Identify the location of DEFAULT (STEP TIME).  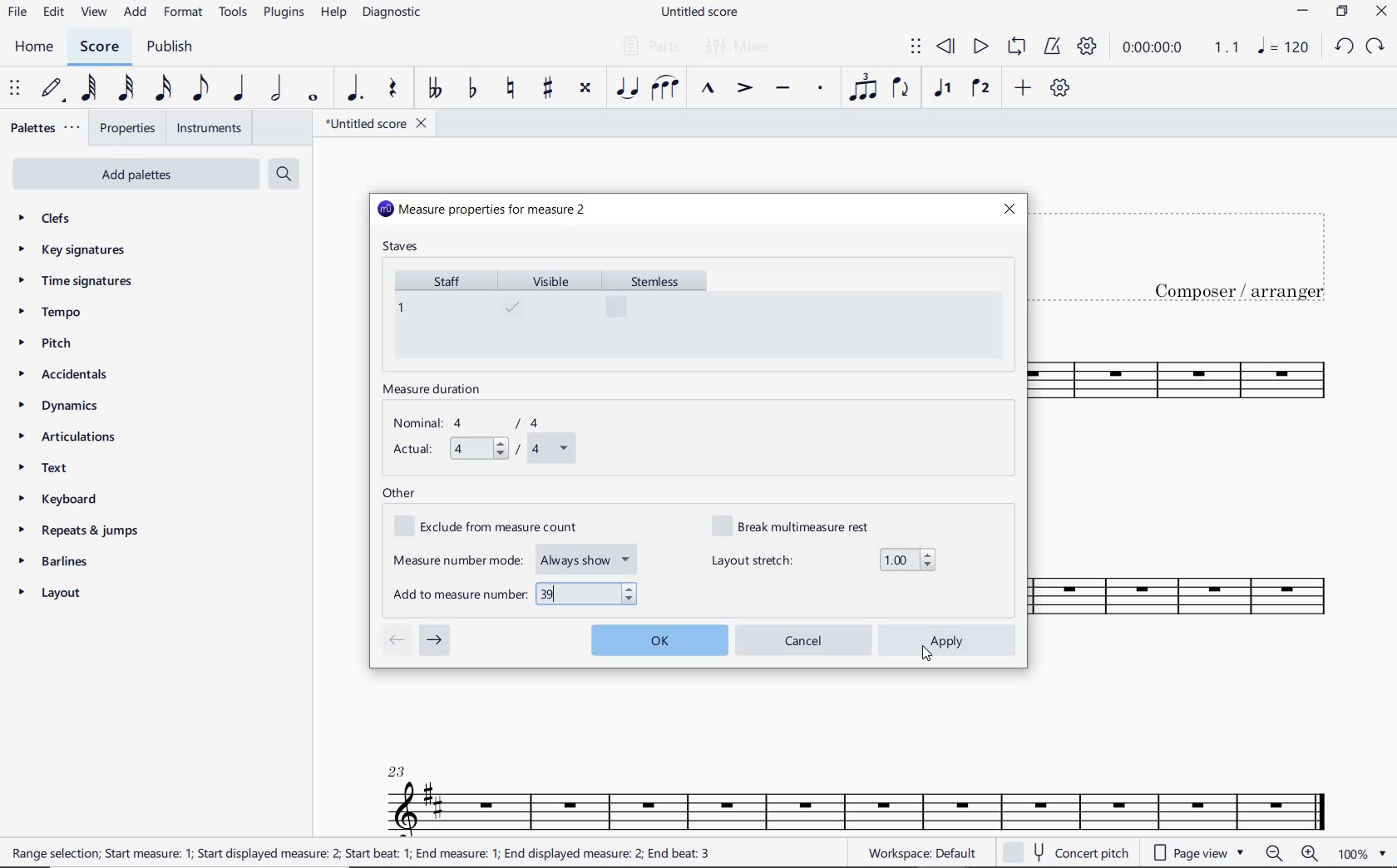
(54, 89).